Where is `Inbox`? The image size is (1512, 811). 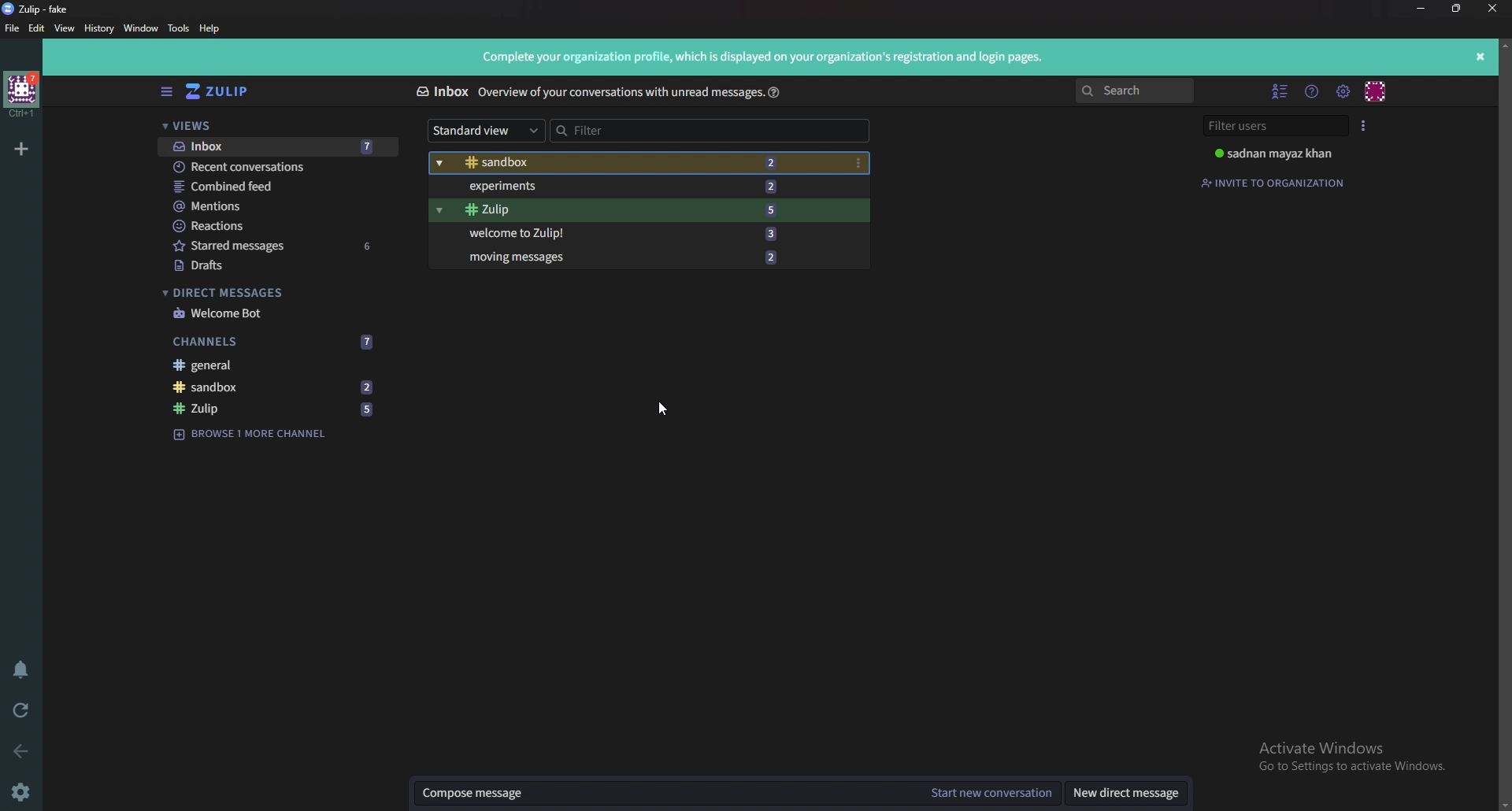
Inbox is located at coordinates (276, 146).